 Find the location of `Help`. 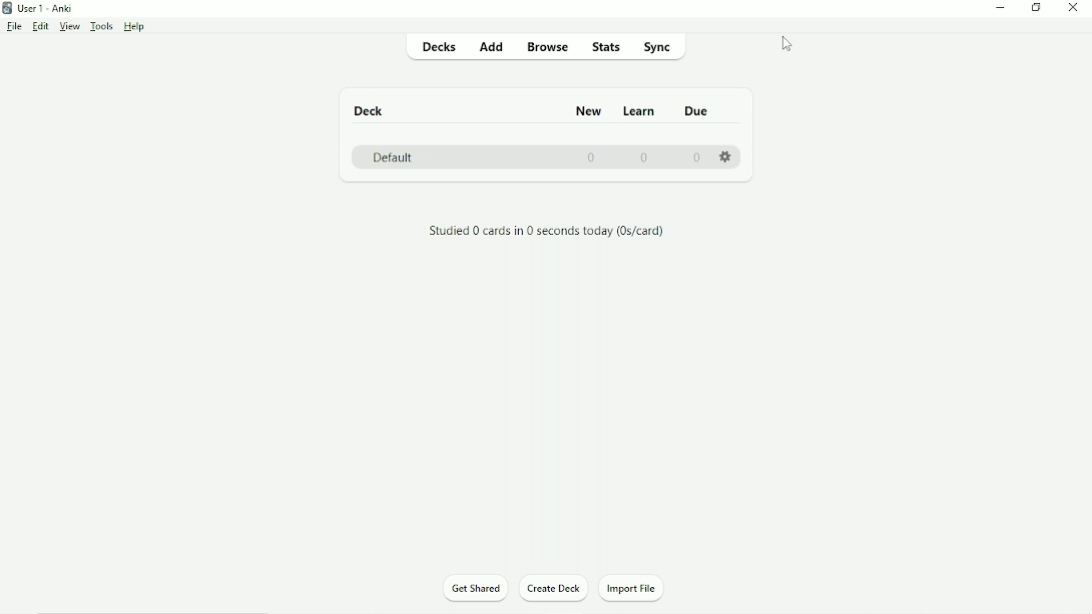

Help is located at coordinates (135, 27).